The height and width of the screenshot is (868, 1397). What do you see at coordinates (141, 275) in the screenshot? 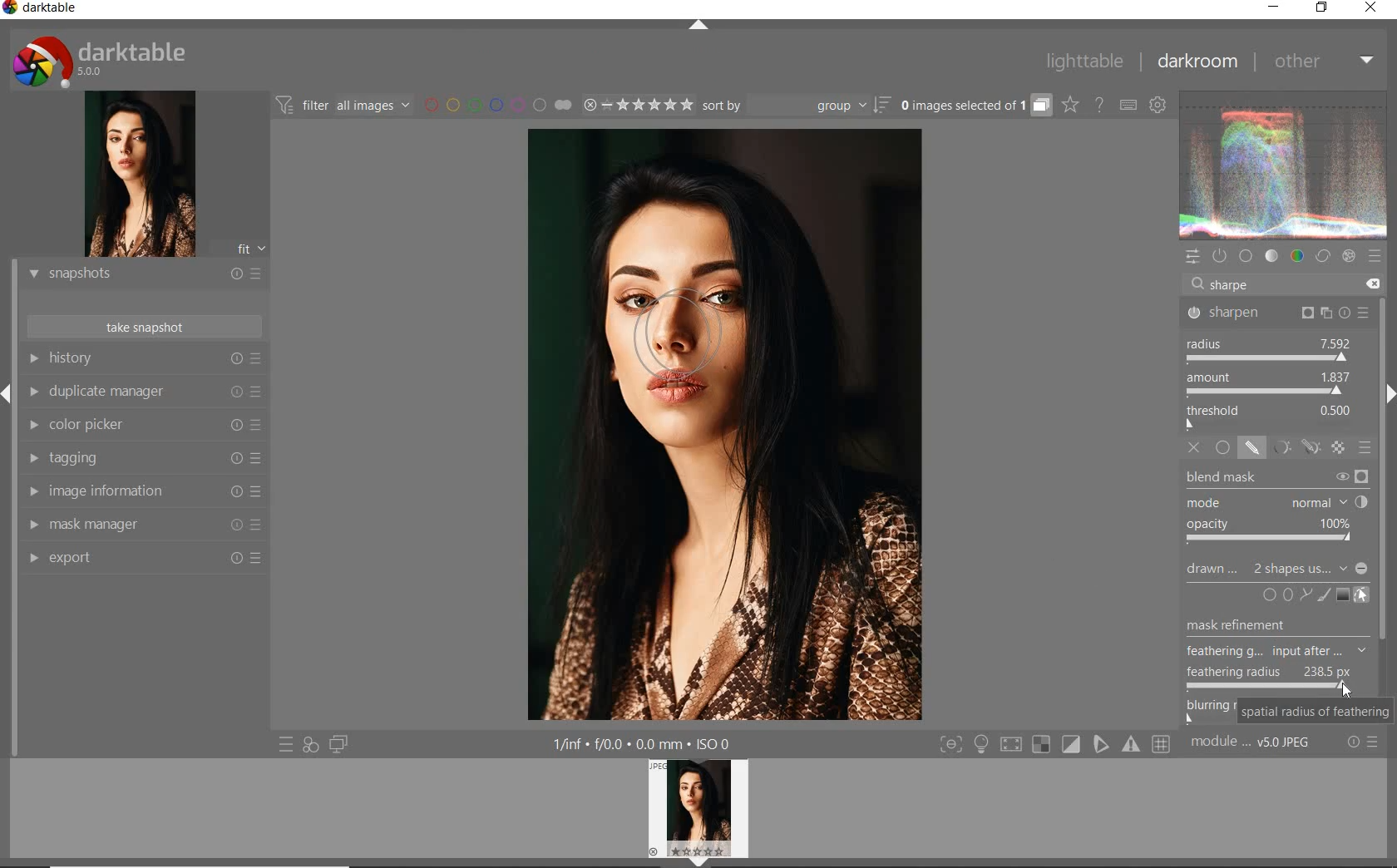
I see `snapshots` at bounding box center [141, 275].